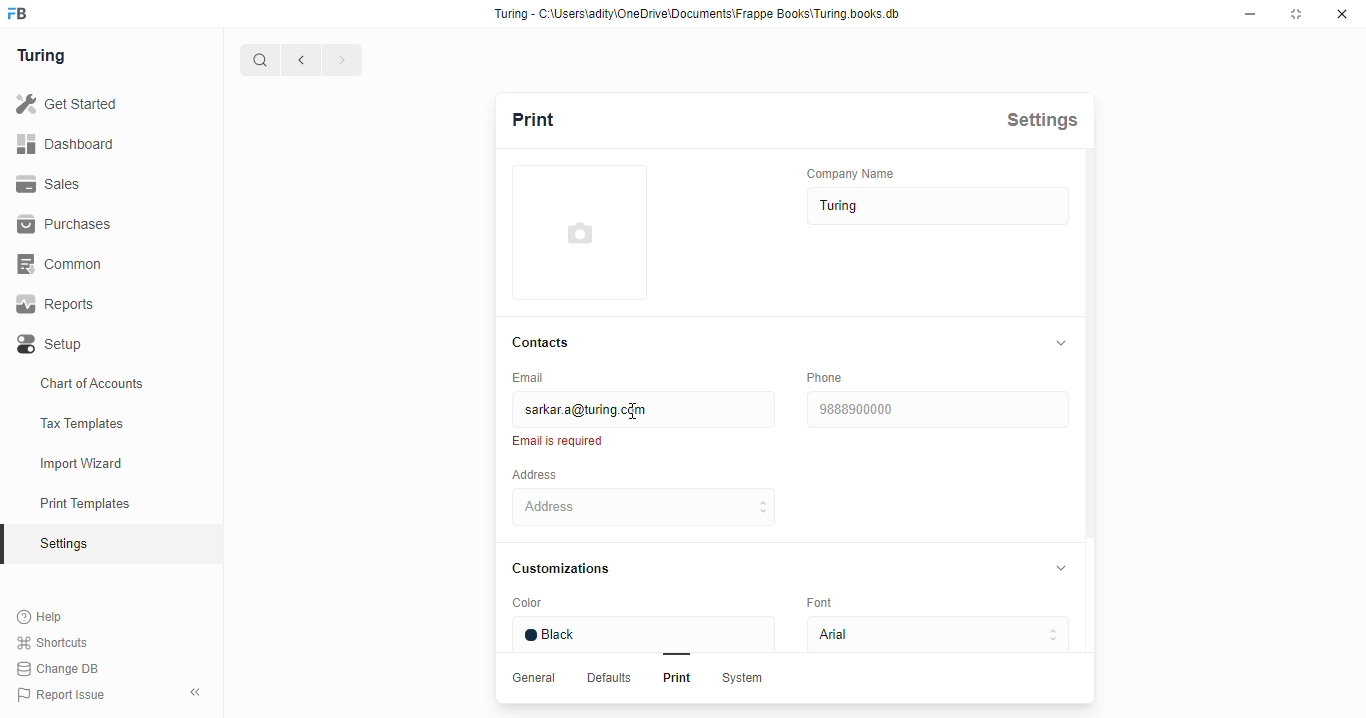 This screenshot has height=718, width=1366. I want to click on Turing, so click(45, 54).